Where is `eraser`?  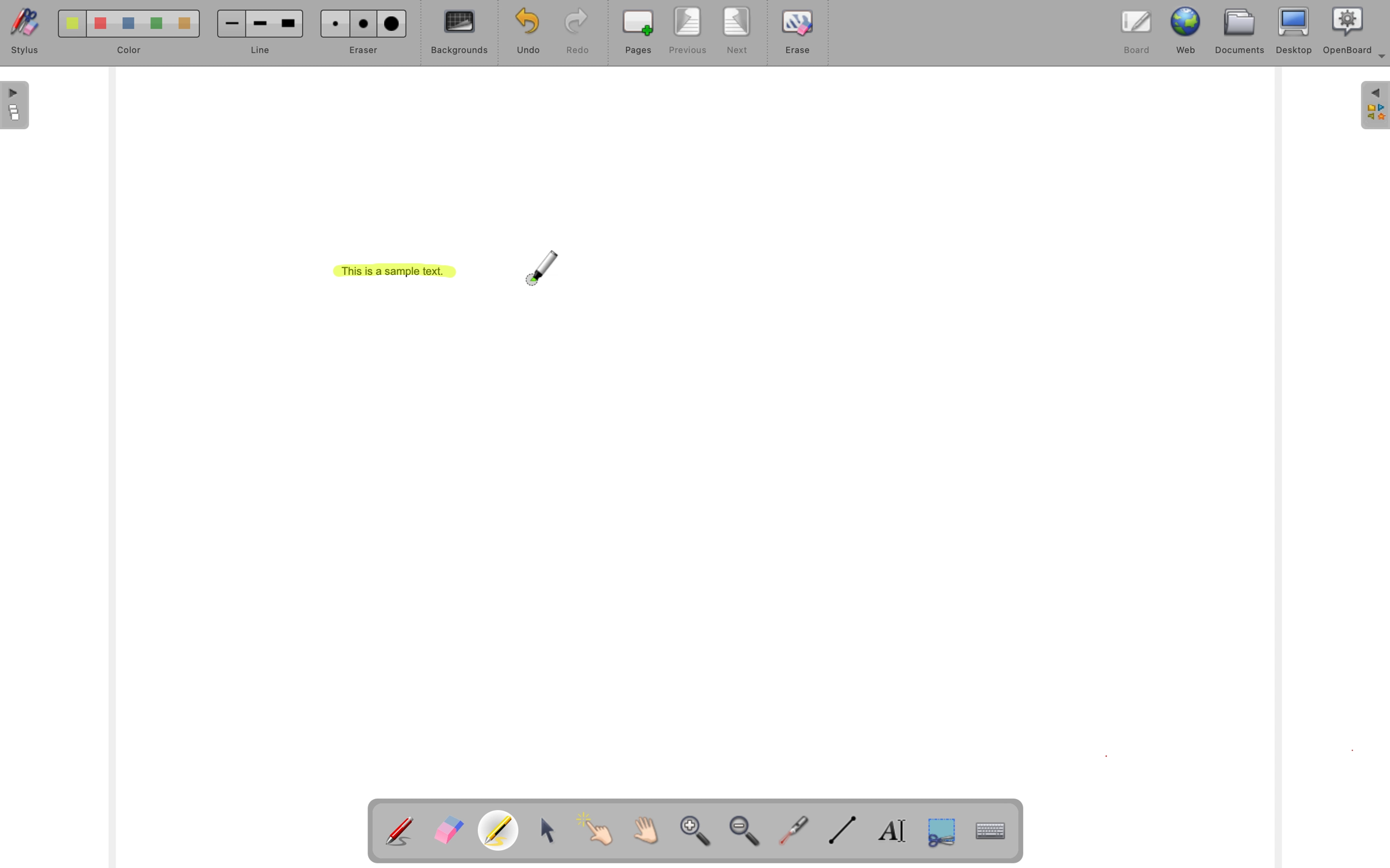
eraser is located at coordinates (365, 50).